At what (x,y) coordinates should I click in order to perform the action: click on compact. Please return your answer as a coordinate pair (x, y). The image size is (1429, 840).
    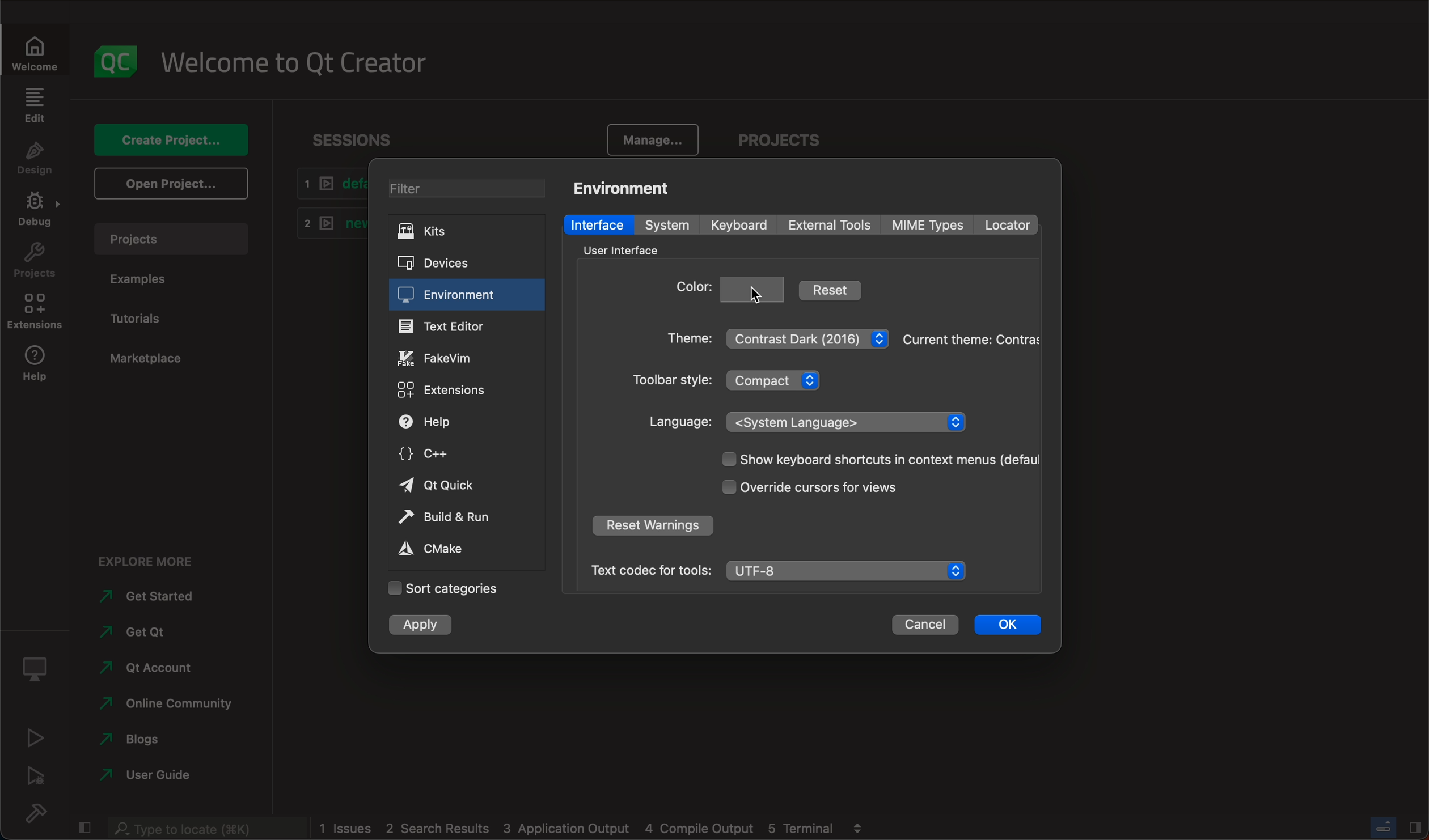
    Looking at the image, I should click on (779, 379).